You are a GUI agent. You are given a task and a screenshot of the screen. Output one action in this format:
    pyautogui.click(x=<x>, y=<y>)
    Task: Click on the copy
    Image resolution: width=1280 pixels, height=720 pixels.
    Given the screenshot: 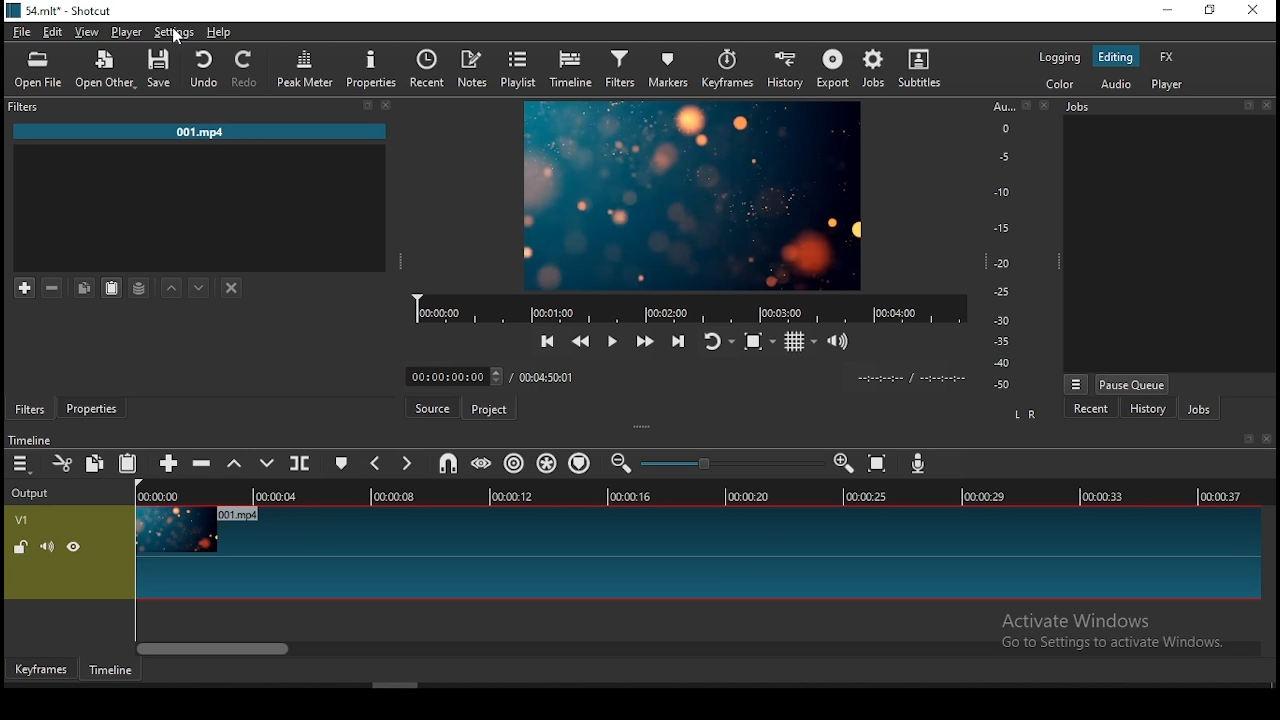 What is the action you would take?
    pyautogui.click(x=95, y=462)
    